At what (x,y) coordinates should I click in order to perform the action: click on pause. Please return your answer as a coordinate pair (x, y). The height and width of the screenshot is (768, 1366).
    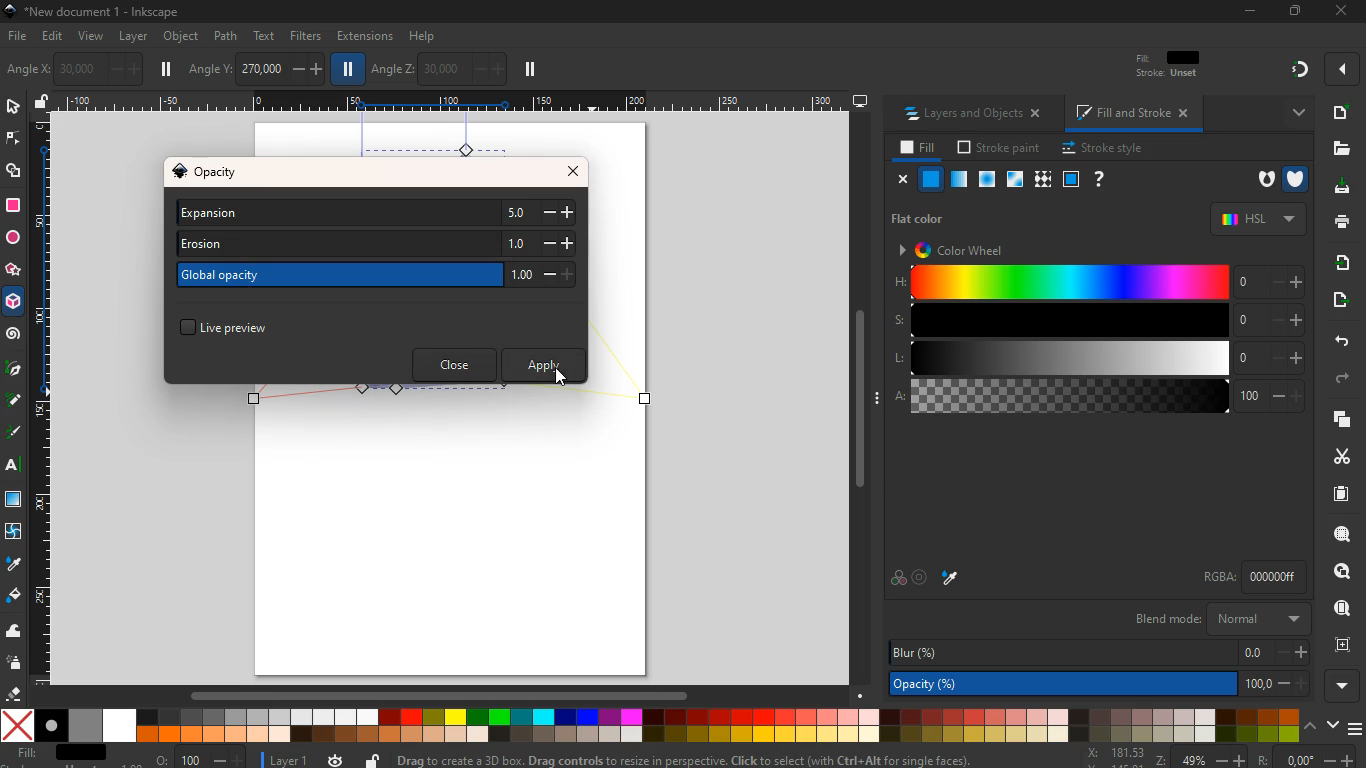
    Looking at the image, I should click on (529, 70).